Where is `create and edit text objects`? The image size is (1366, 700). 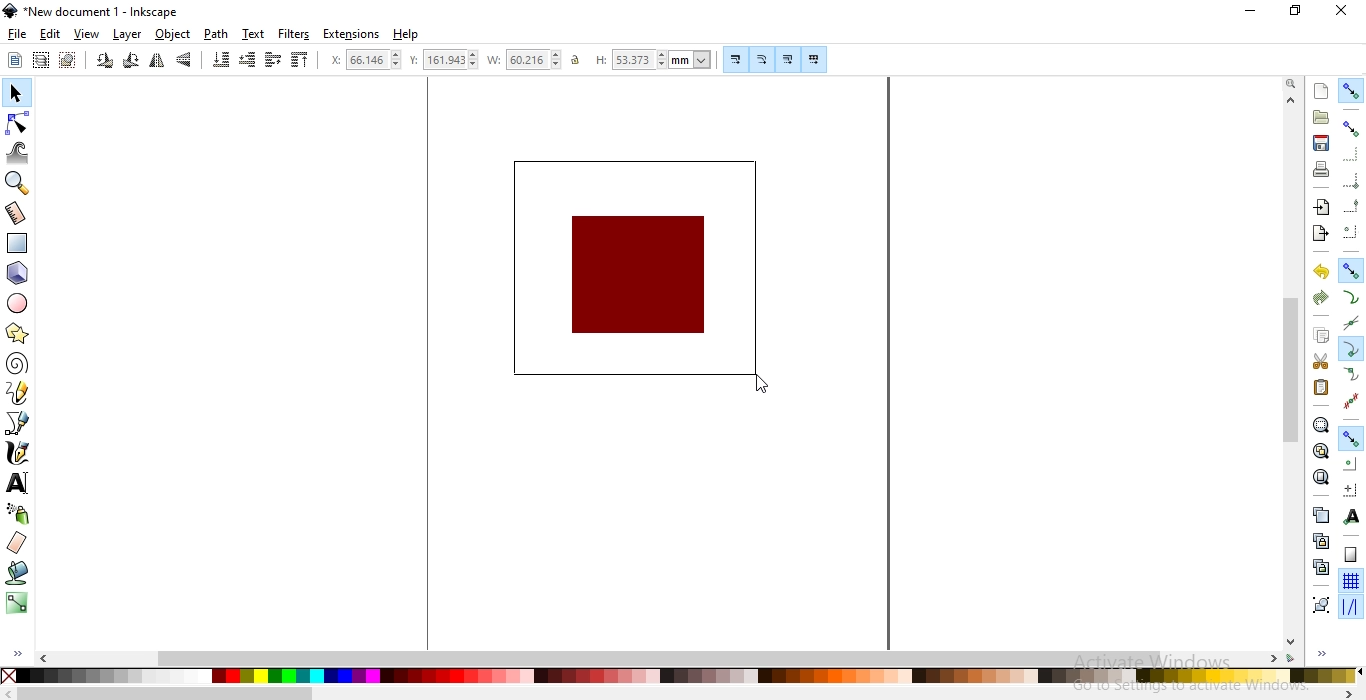 create and edit text objects is located at coordinates (17, 481).